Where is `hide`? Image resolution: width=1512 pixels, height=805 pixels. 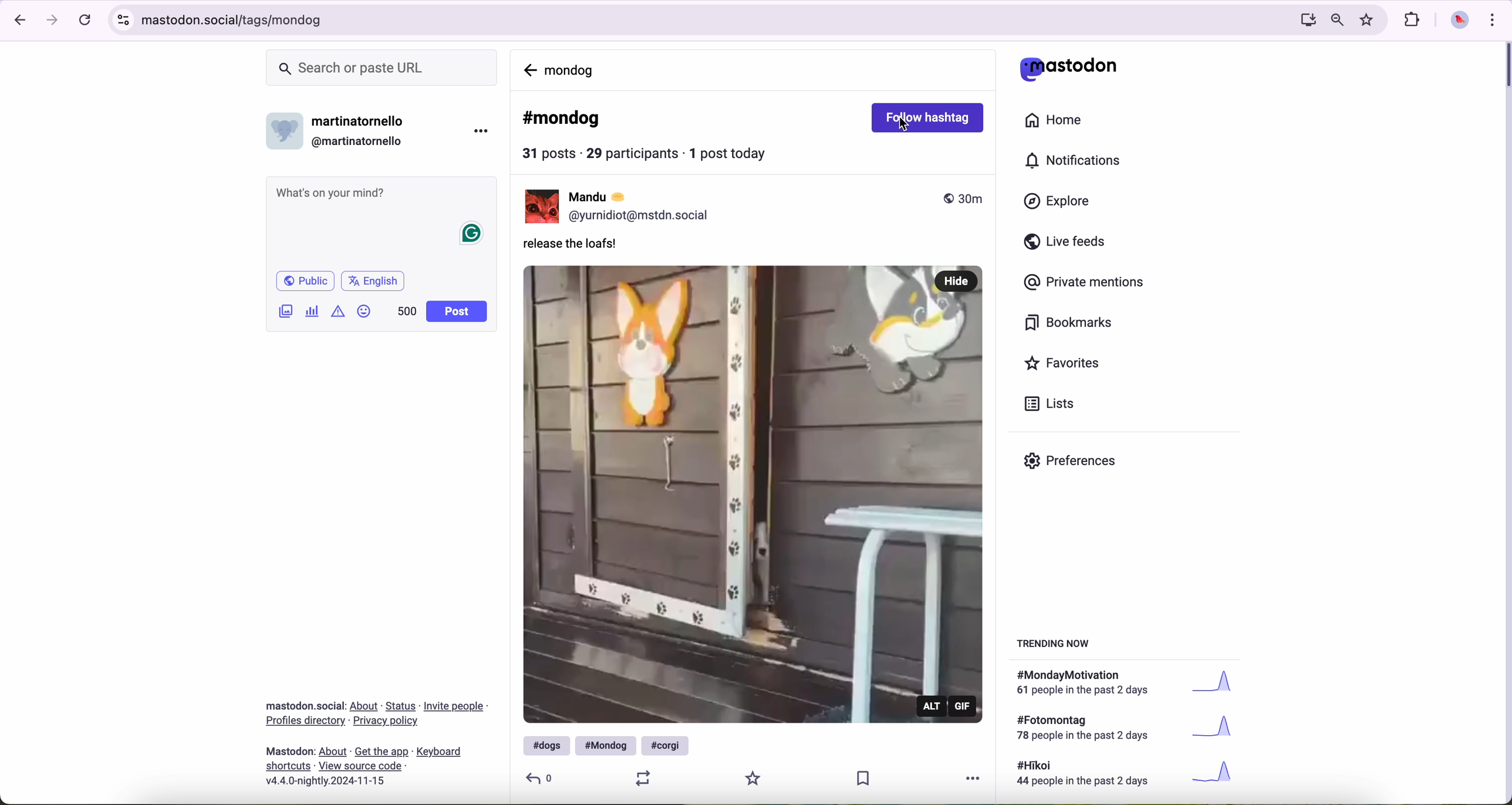 hide is located at coordinates (957, 279).